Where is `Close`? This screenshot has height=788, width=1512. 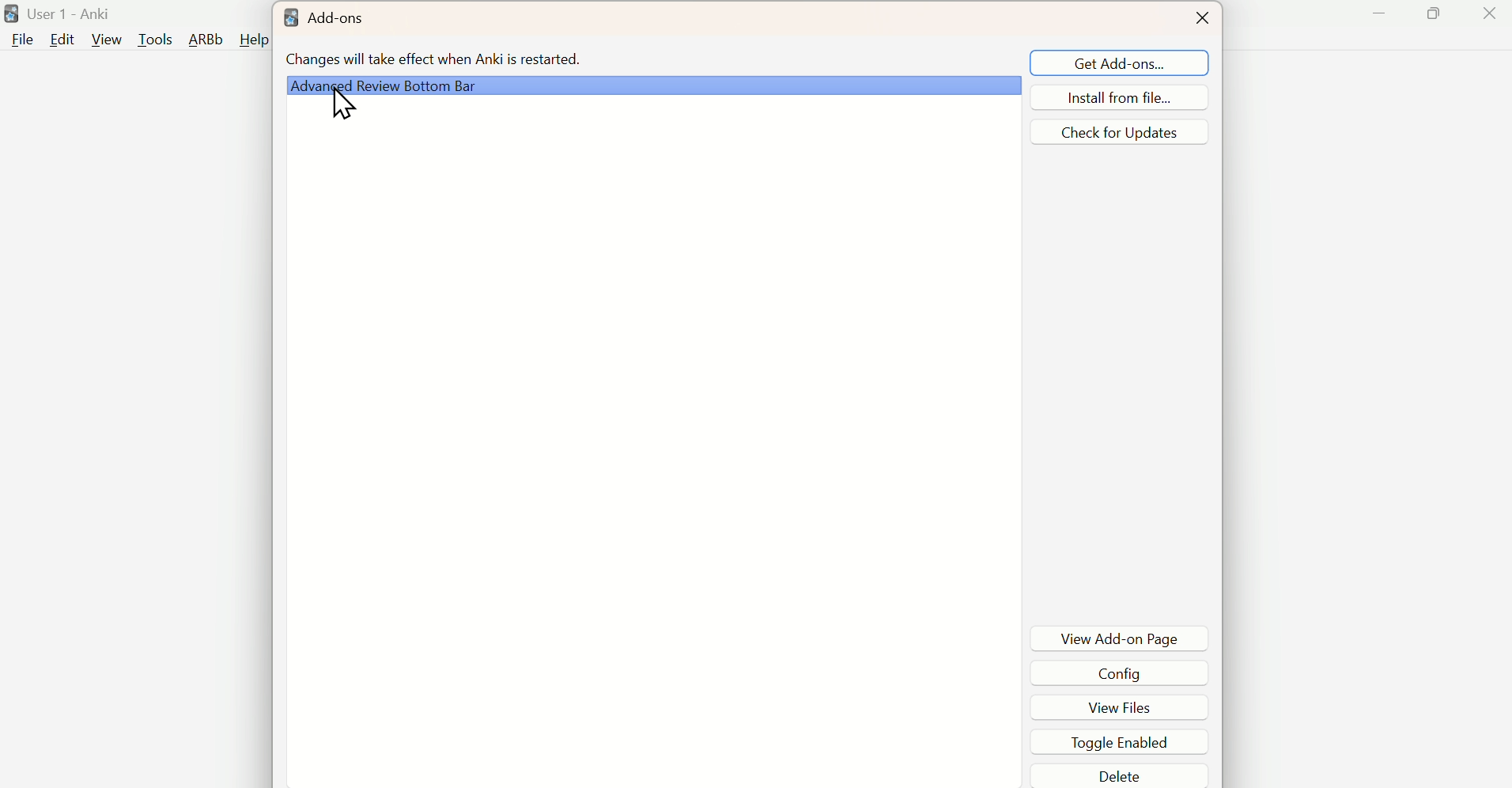
Close is located at coordinates (1211, 19).